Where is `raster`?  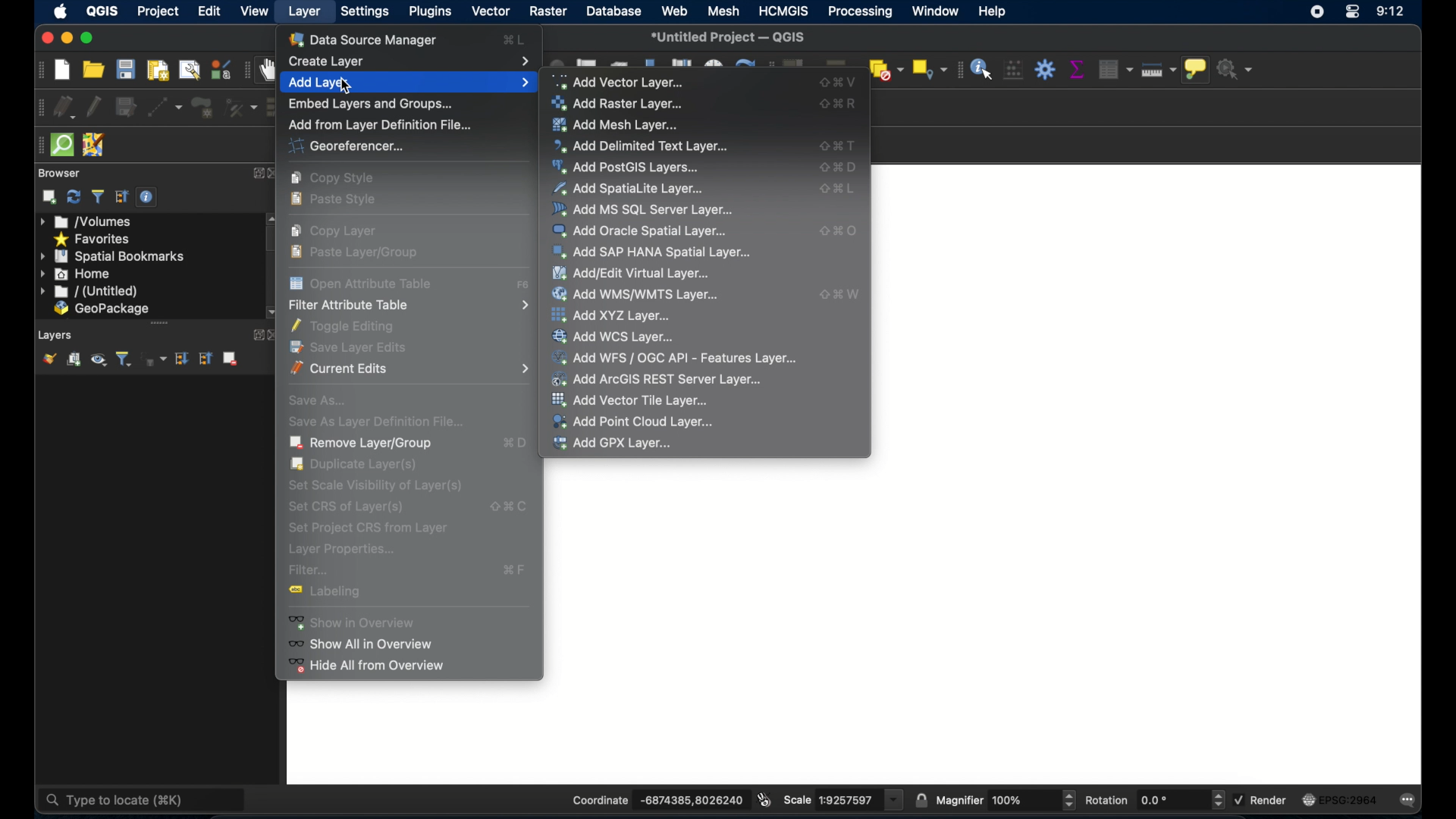 raster is located at coordinates (545, 12).